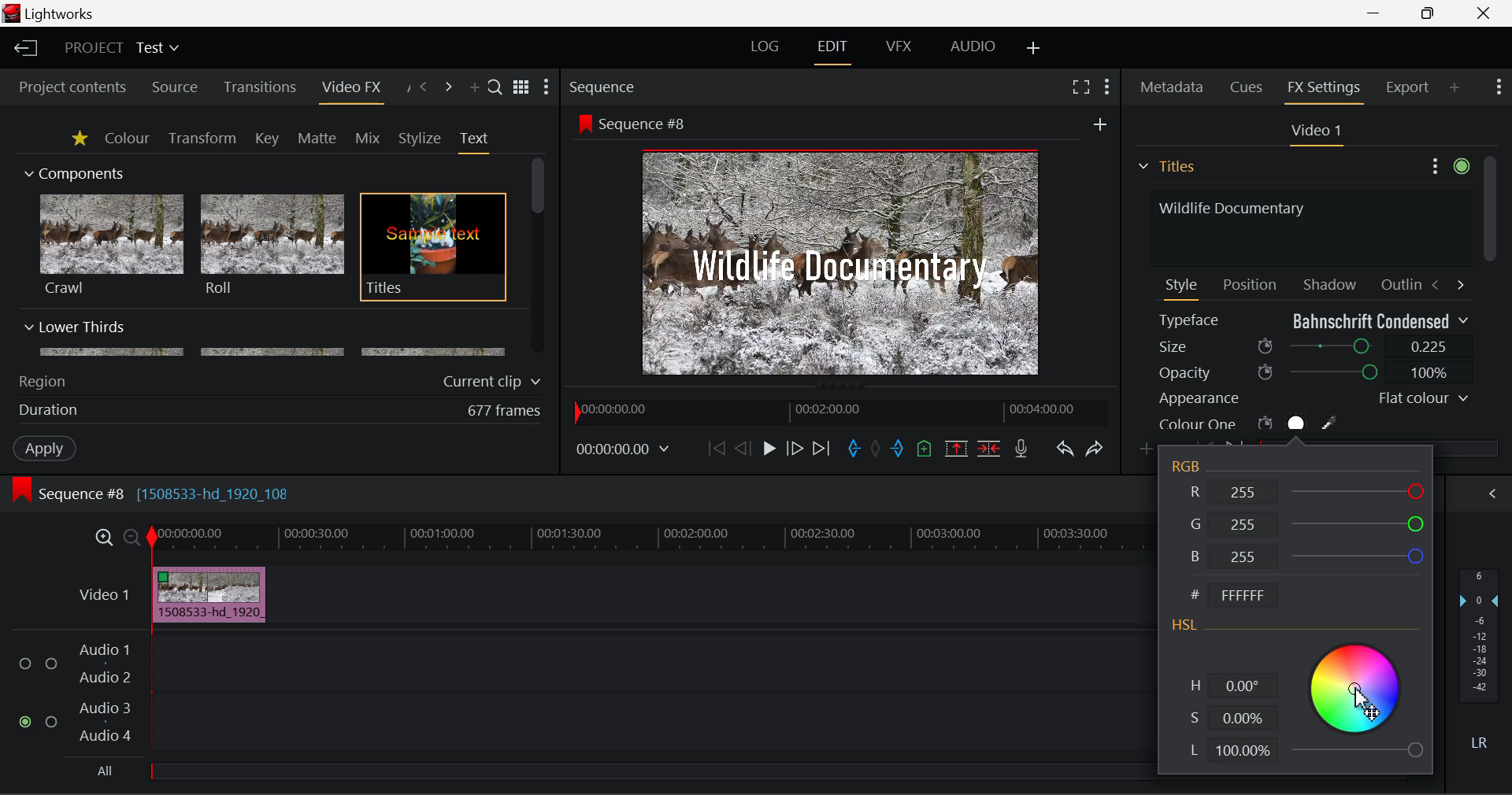  I want to click on Text Input Field, so click(1307, 226).